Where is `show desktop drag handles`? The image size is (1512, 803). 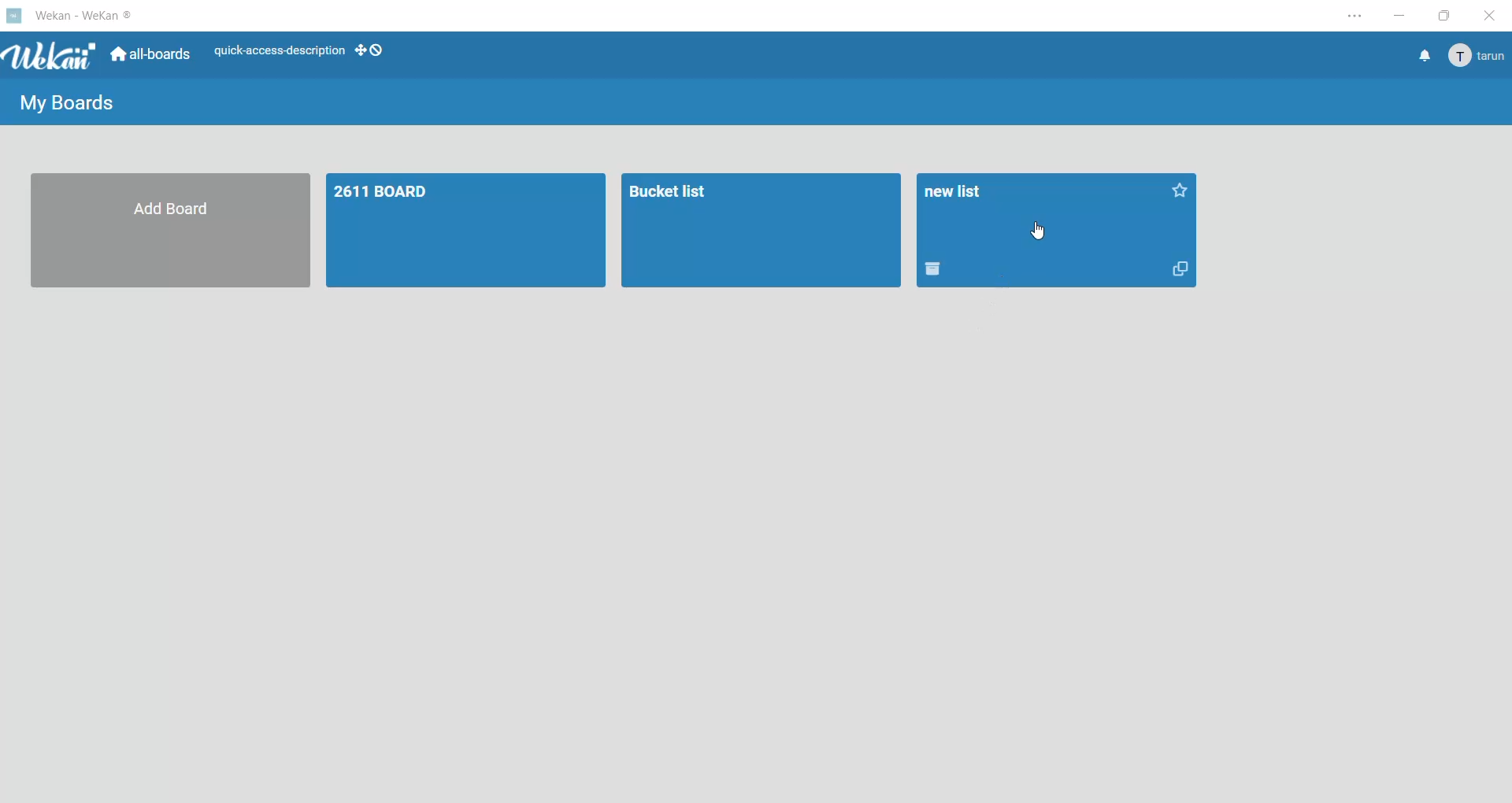 show desktop drag handles is located at coordinates (371, 50).